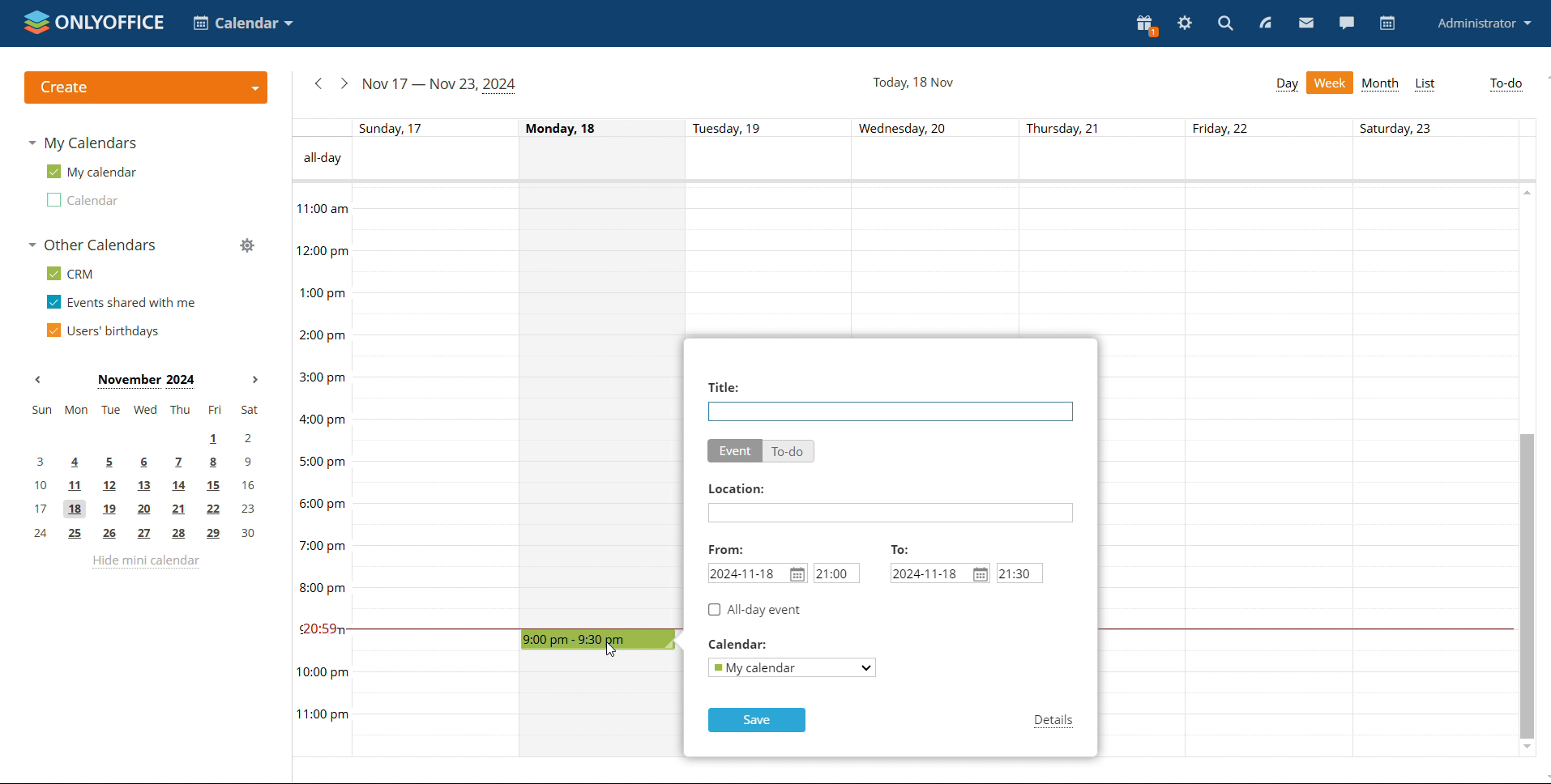 The width and height of the screenshot is (1551, 784). I want to click on manage, so click(247, 244).